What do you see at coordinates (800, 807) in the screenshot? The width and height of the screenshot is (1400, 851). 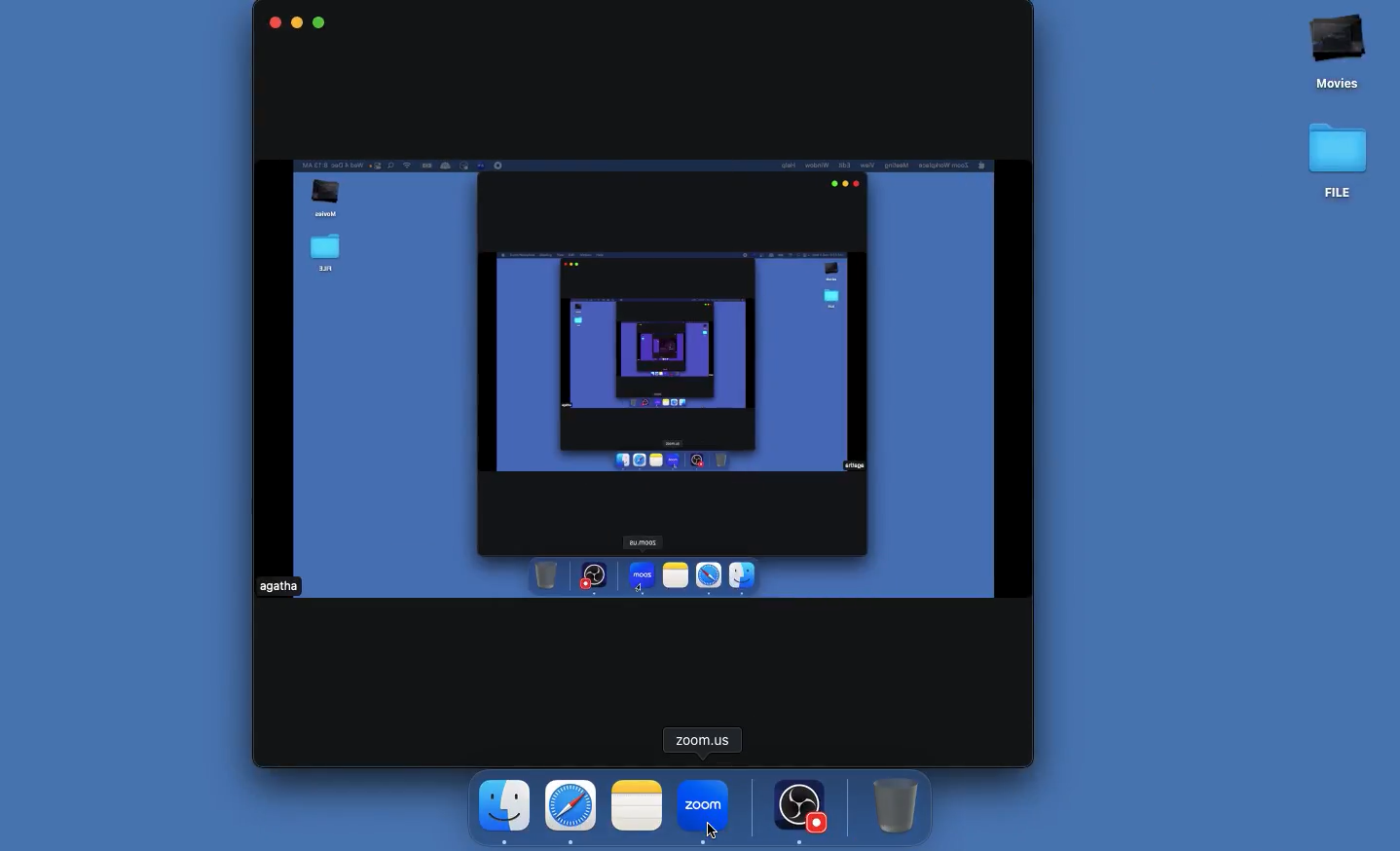 I see `OBS` at bounding box center [800, 807].